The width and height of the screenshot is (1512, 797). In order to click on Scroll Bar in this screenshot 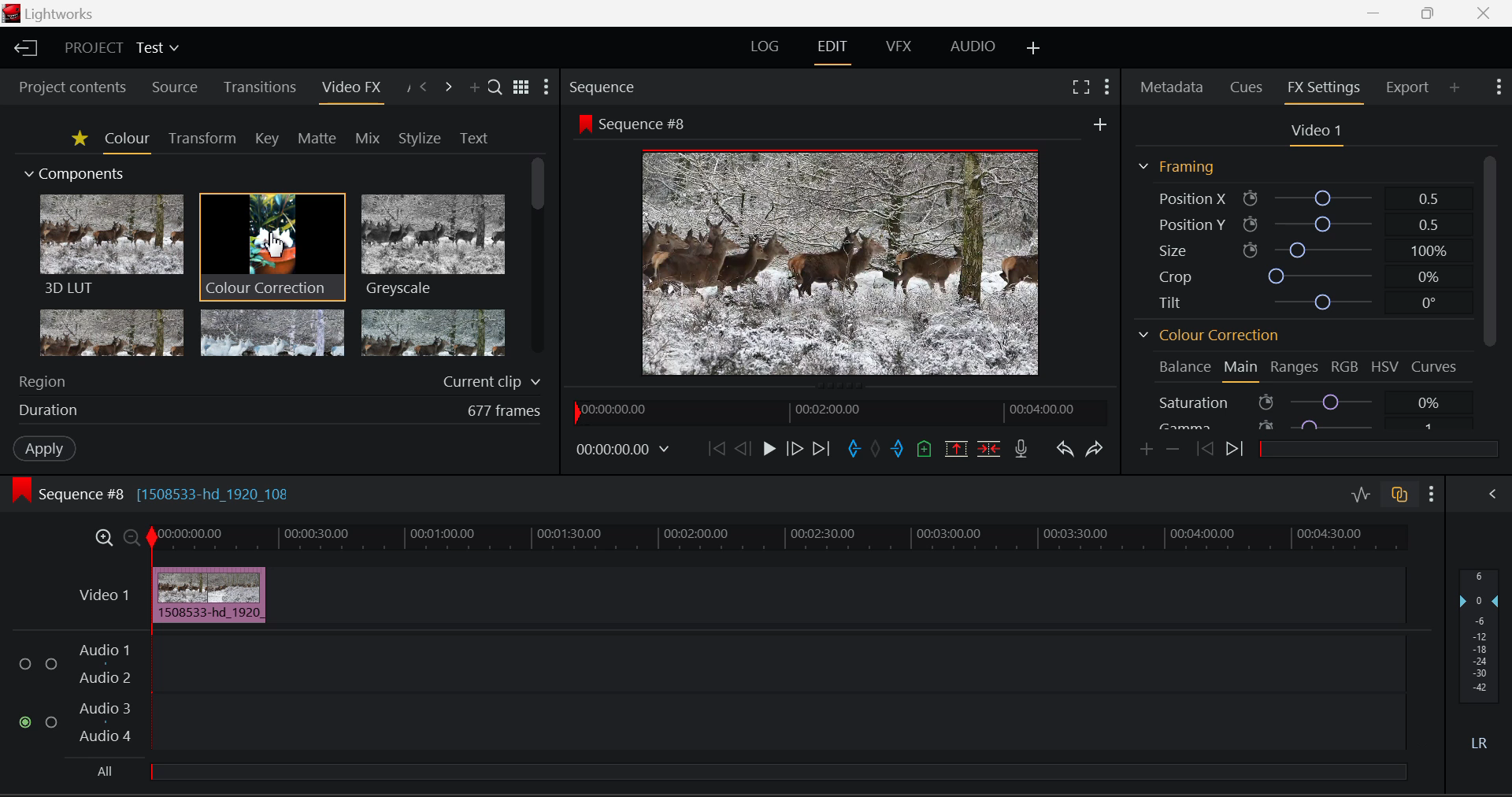, I will do `click(539, 262)`.